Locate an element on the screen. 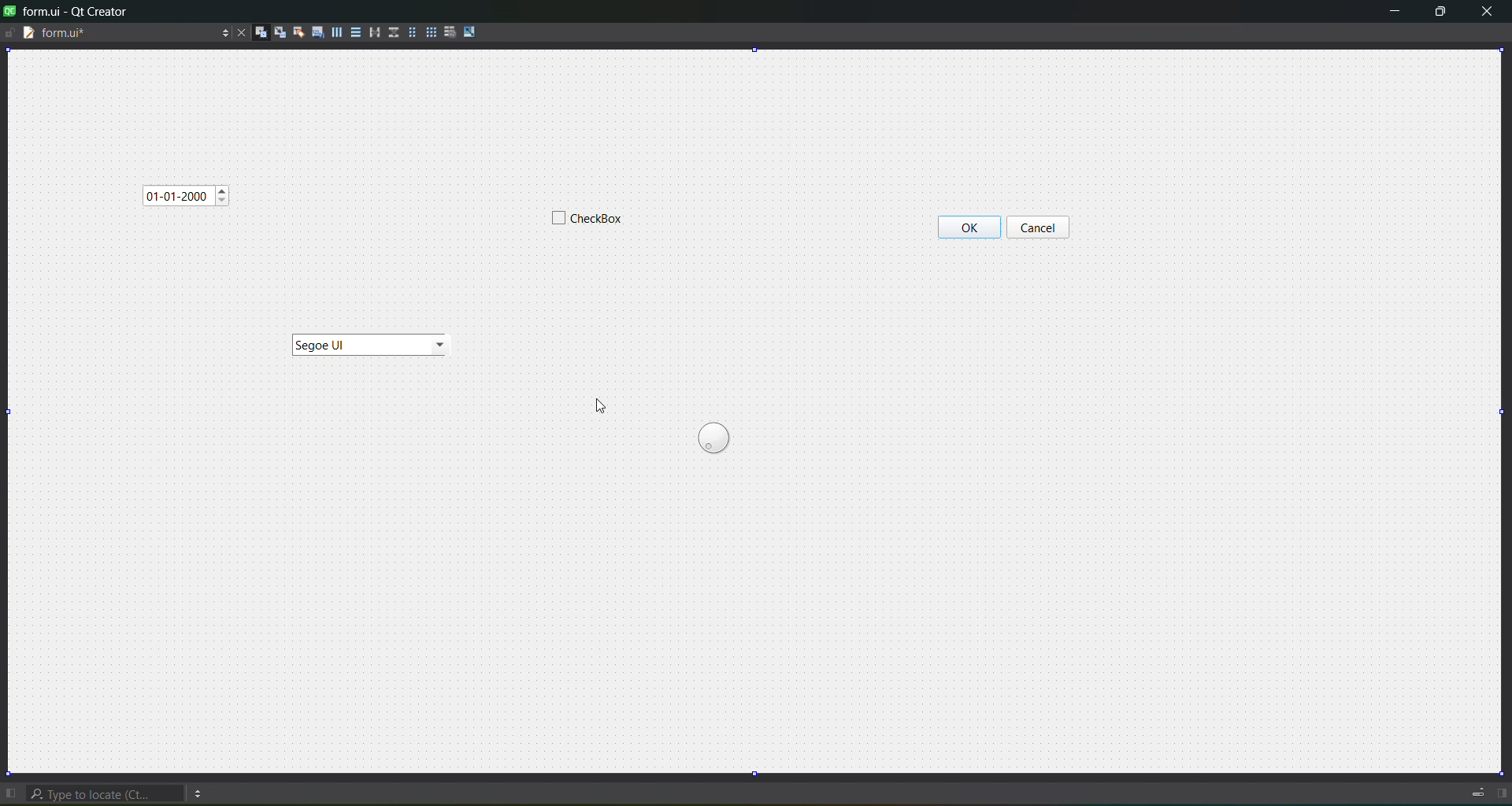 The width and height of the screenshot is (1512, 806). horizontal splitter is located at coordinates (373, 32).